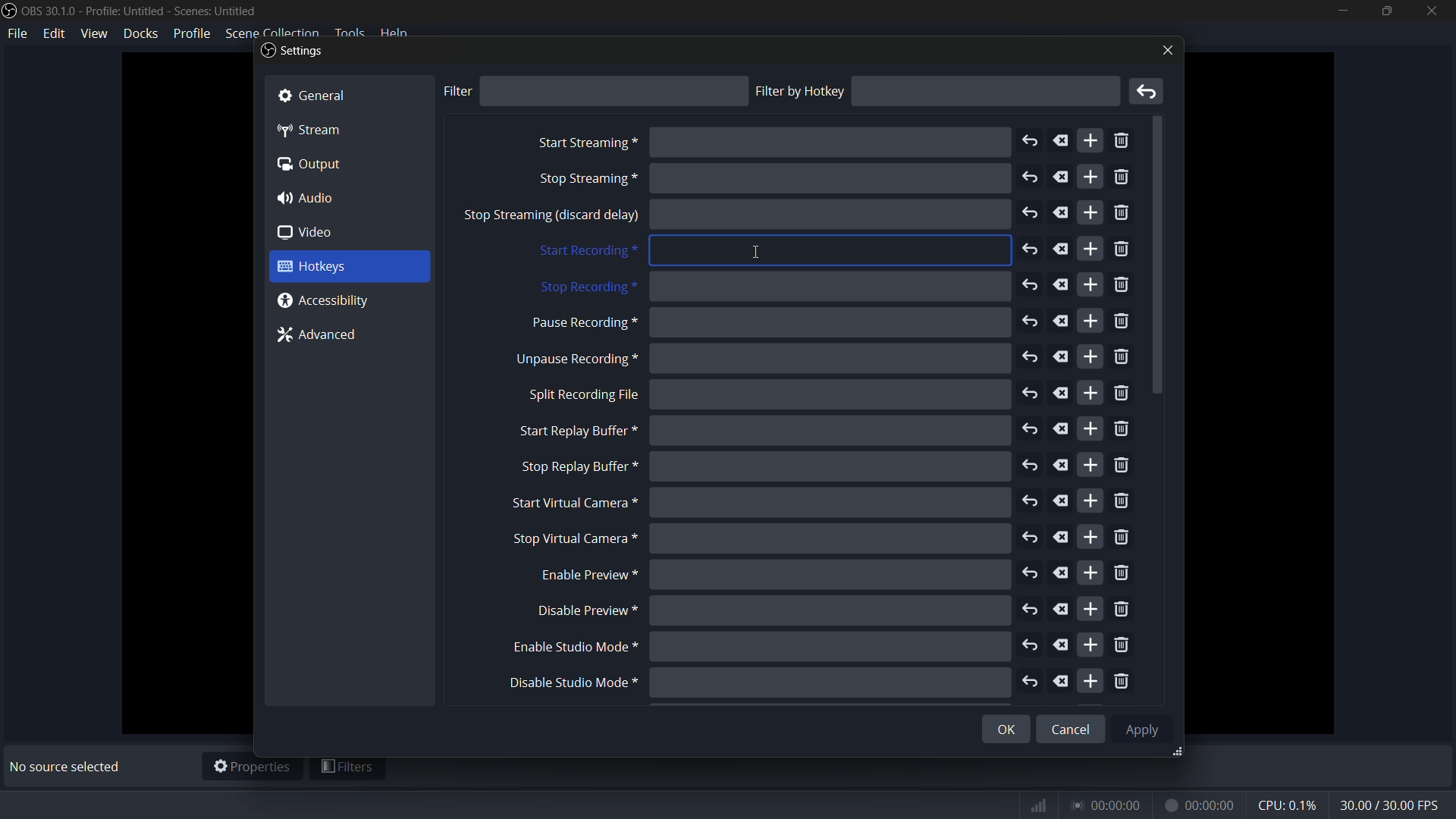 This screenshot has height=819, width=1456. Describe the element at coordinates (56, 33) in the screenshot. I see `edit menu` at that location.